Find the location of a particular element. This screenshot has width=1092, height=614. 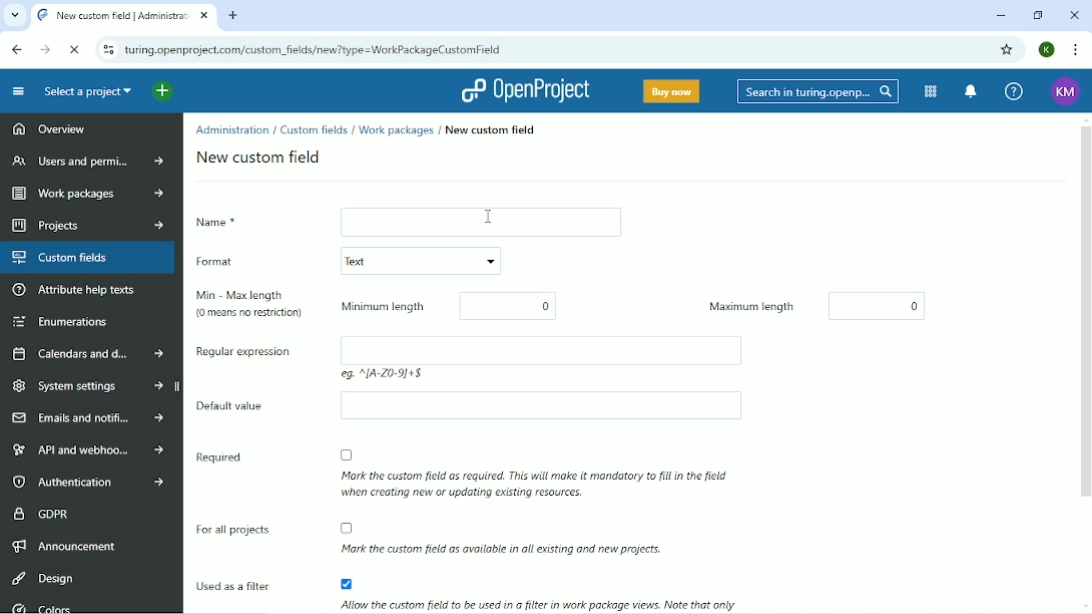

For all projects is located at coordinates (238, 540).